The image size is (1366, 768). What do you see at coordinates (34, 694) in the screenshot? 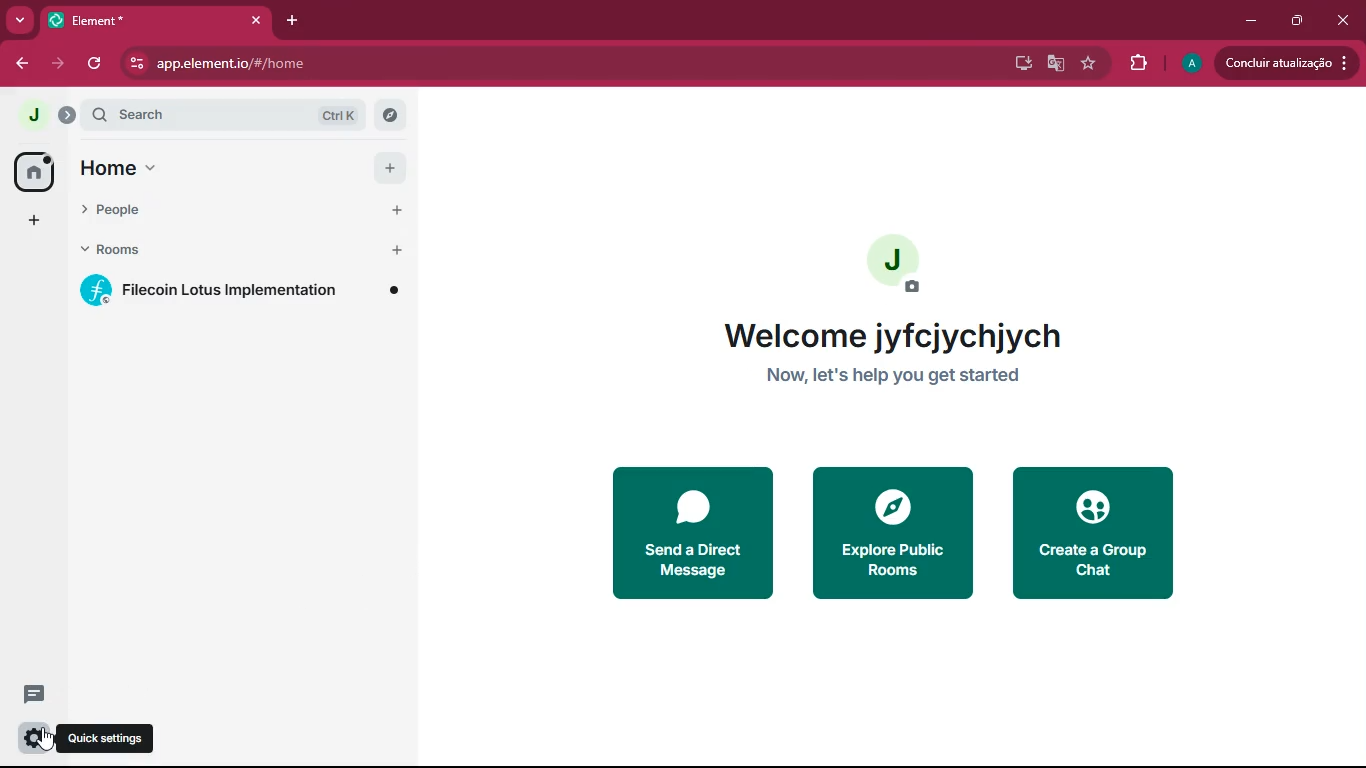
I see `comments` at bounding box center [34, 694].